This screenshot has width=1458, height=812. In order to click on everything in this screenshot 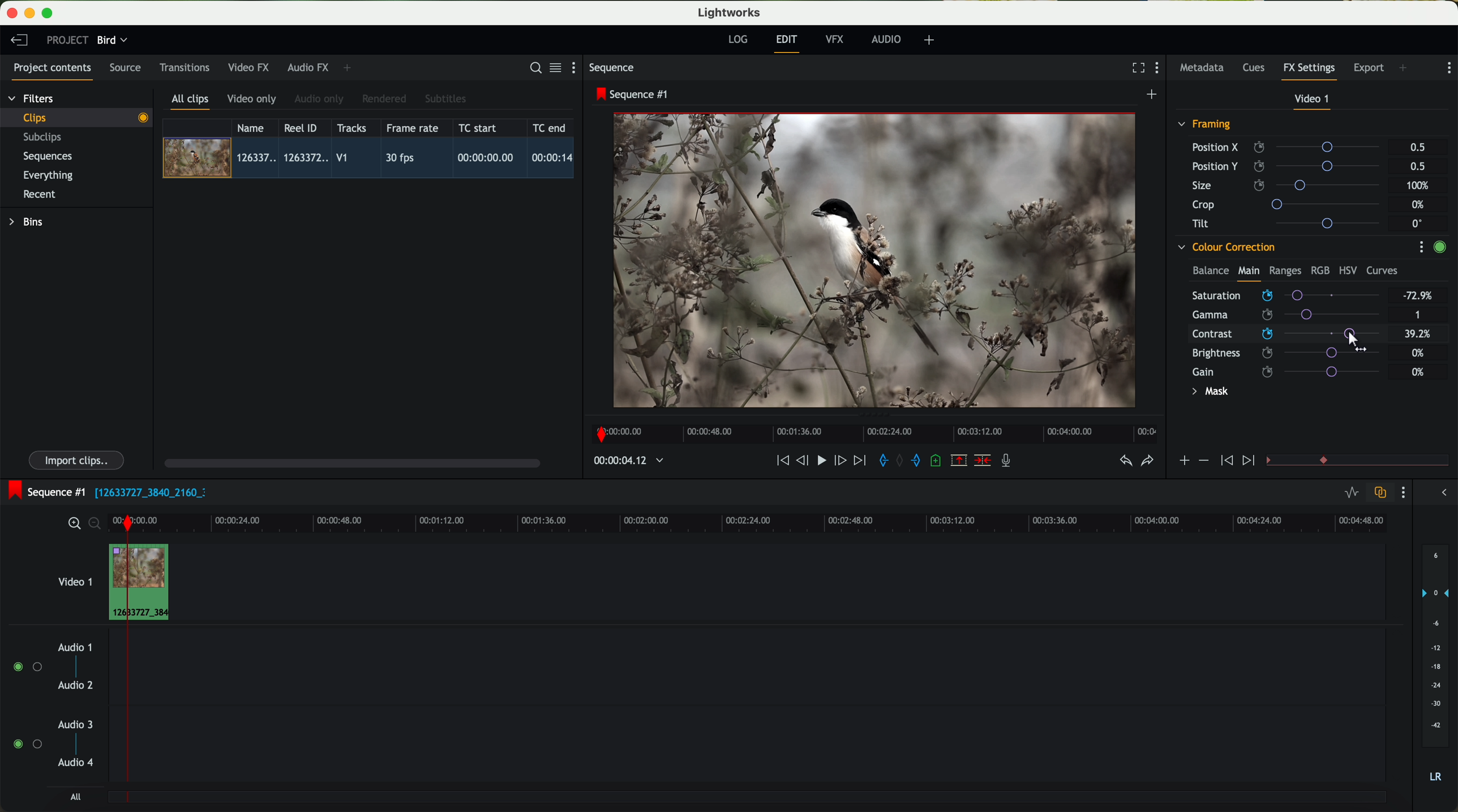, I will do `click(49, 175)`.